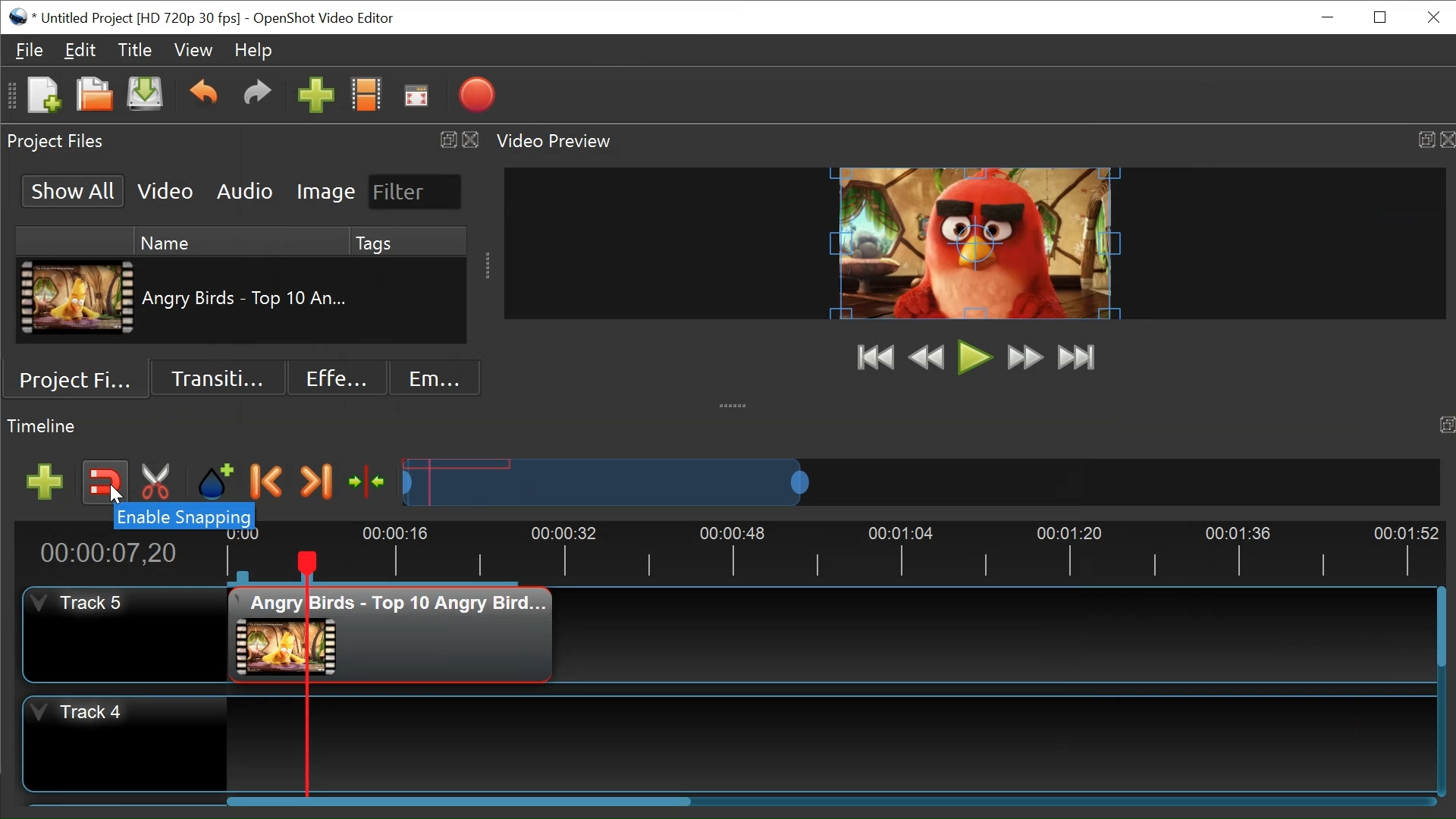 This screenshot has height=819, width=1456. Describe the element at coordinates (1434, 17) in the screenshot. I see `Close` at that location.